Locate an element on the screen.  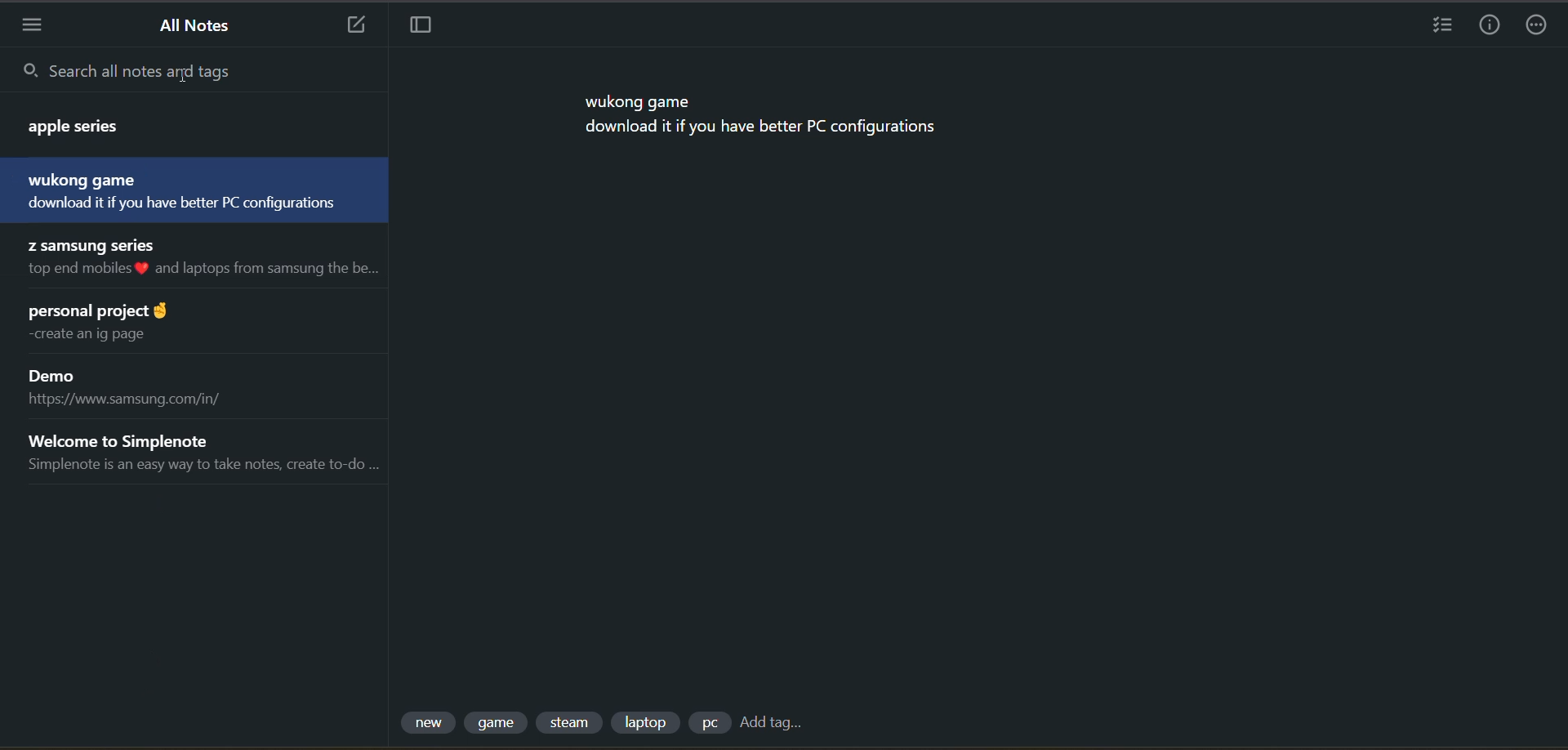
note title and preview is located at coordinates (117, 323).